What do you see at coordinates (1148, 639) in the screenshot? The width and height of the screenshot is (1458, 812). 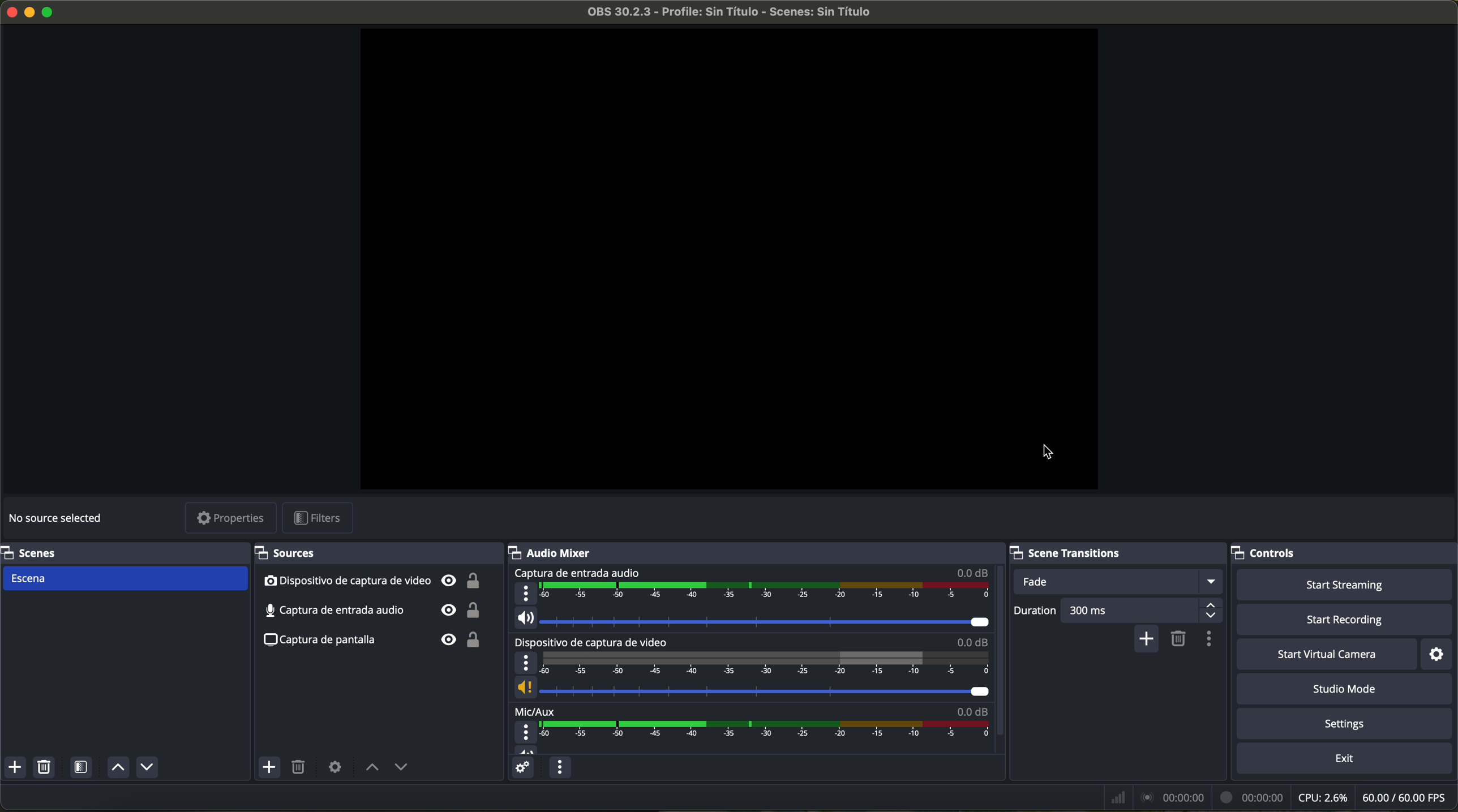 I see `add configurable transition` at bounding box center [1148, 639].